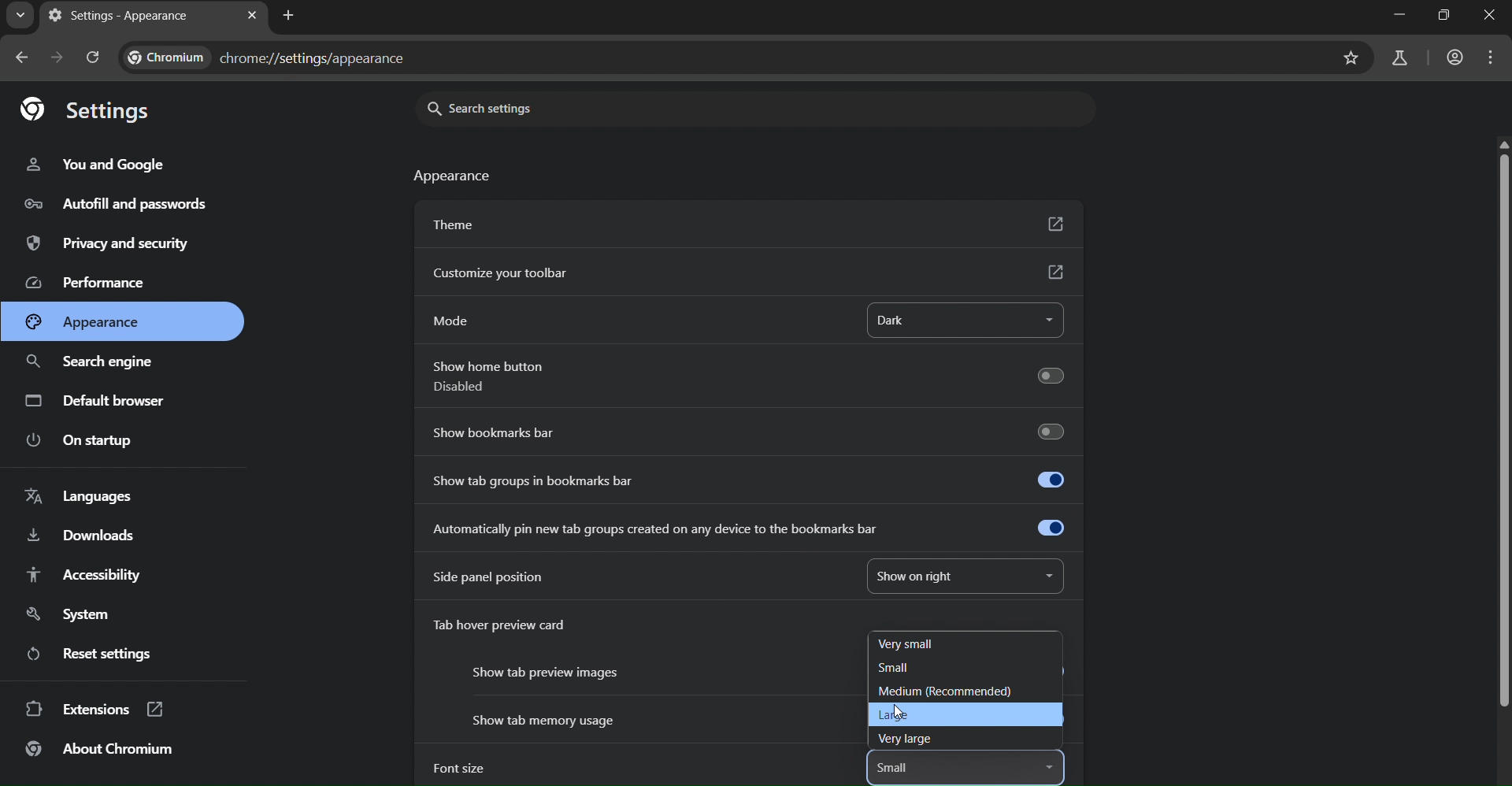 The height and width of the screenshot is (786, 1512). I want to click on system, so click(68, 614).